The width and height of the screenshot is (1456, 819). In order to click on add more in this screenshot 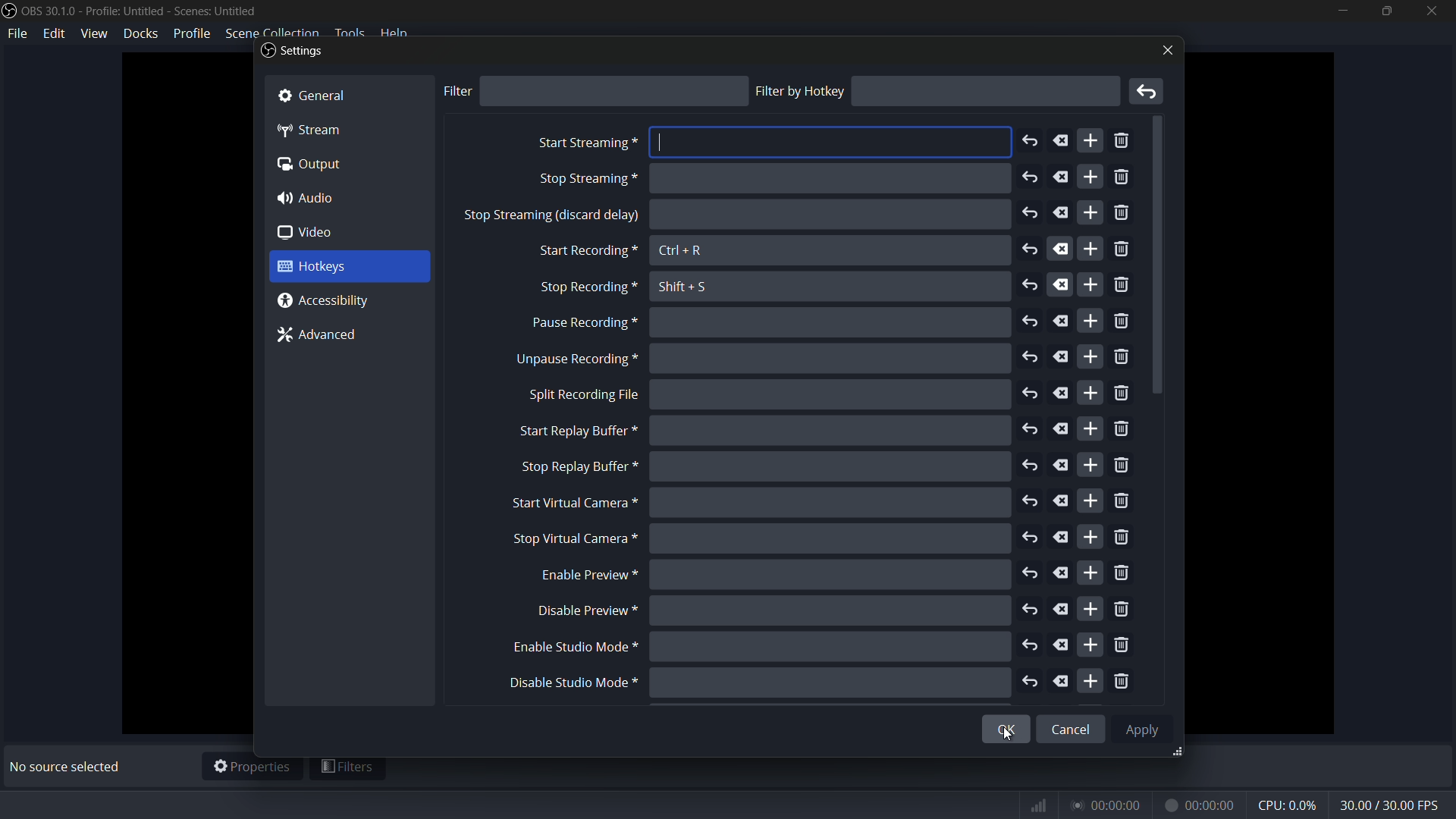, I will do `click(1088, 284)`.